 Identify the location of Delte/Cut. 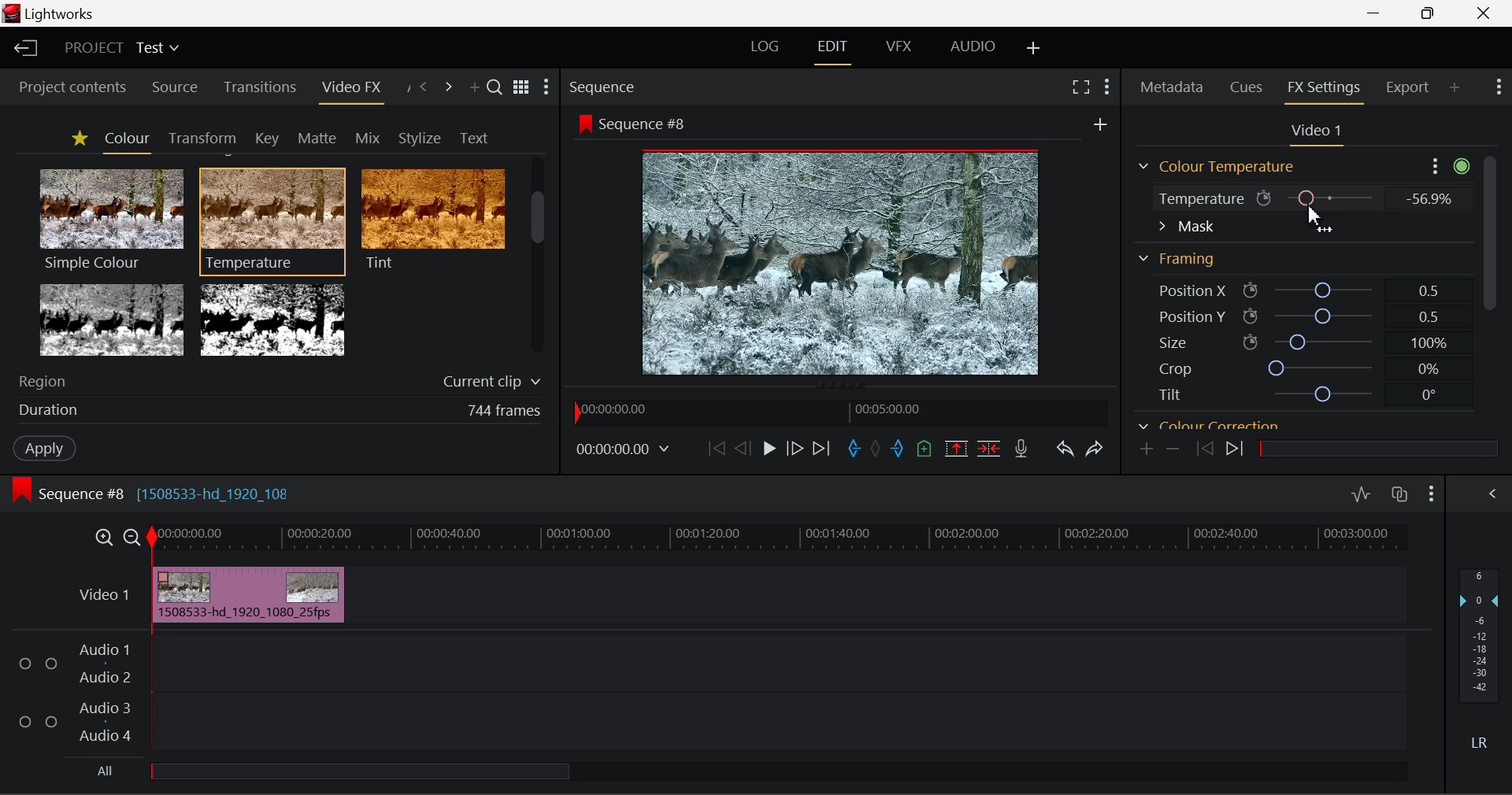
(991, 449).